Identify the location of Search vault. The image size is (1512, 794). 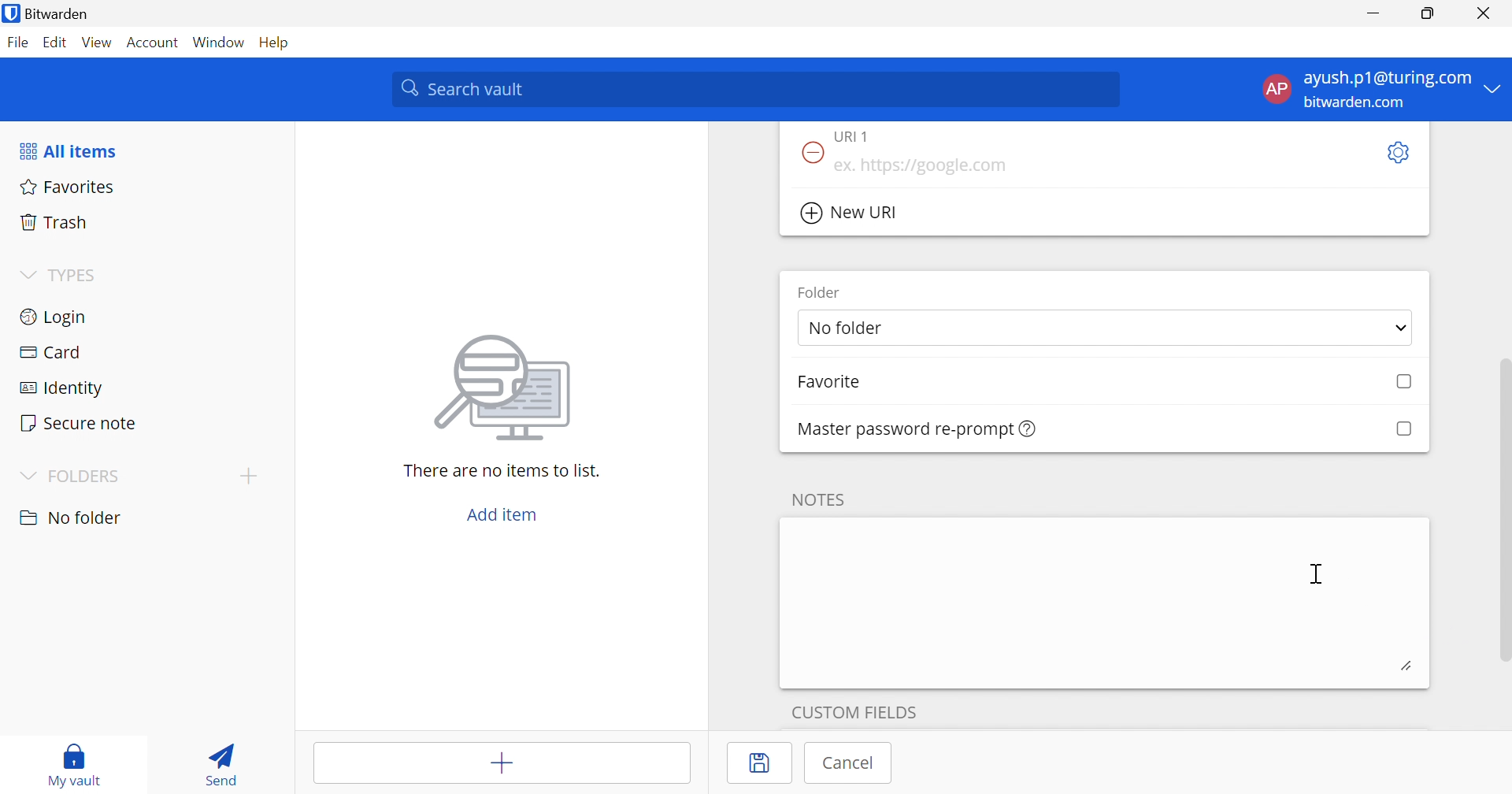
(754, 89).